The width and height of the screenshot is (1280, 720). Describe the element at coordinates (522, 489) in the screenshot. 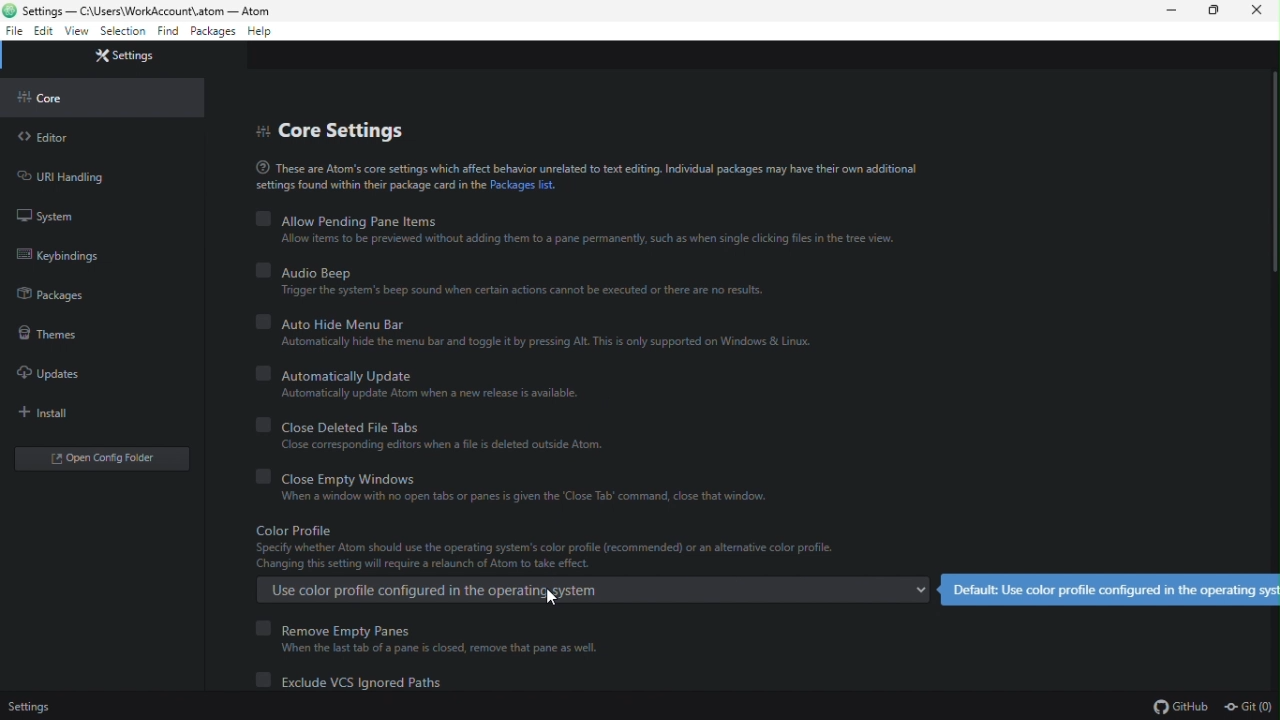

I see `close empty windows` at that location.